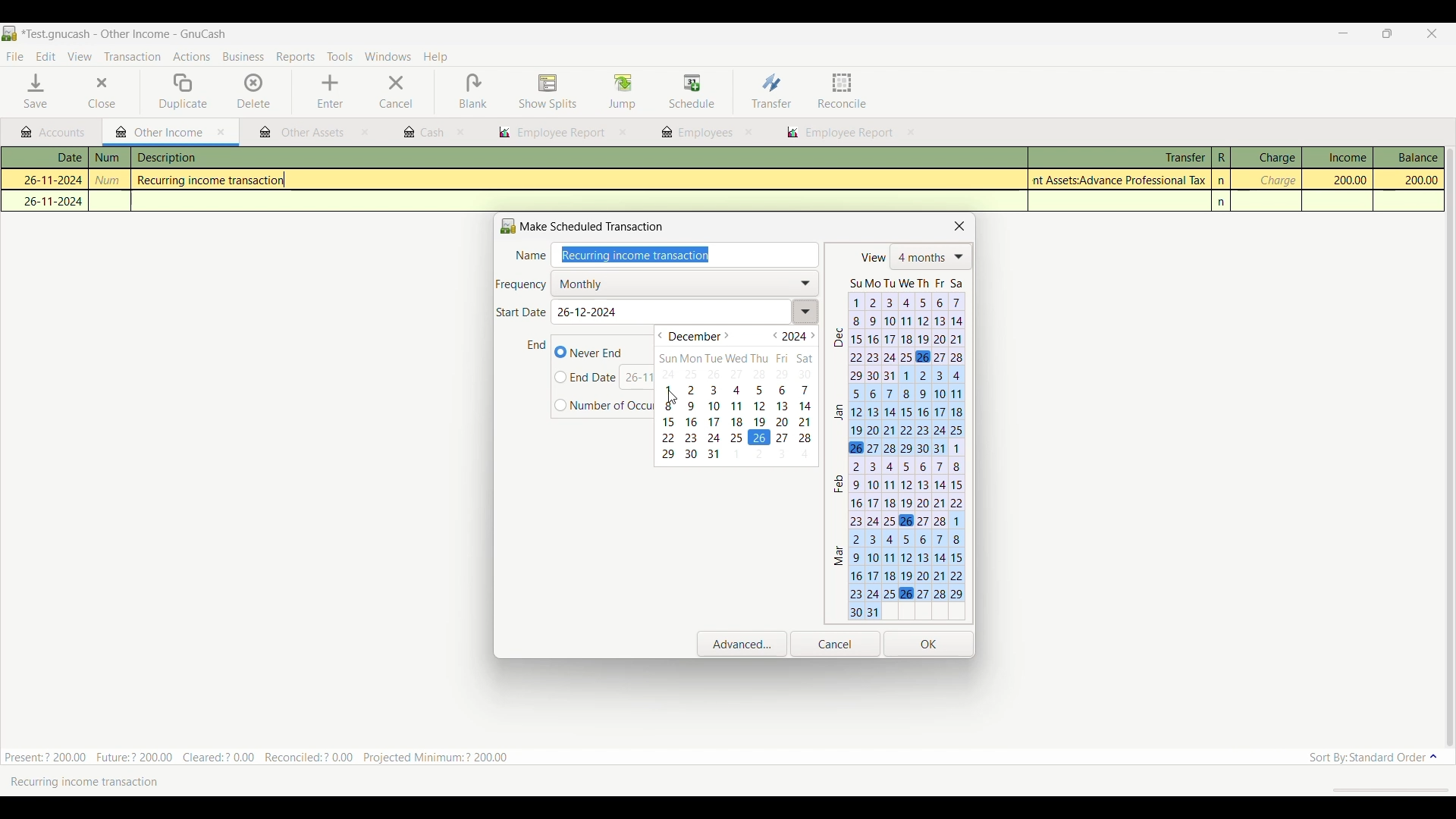 The height and width of the screenshot is (819, 1456). What do you see at coordinates (56, 133) in the screenshot?
I see `Accounts` at bounding box center [56, 133].